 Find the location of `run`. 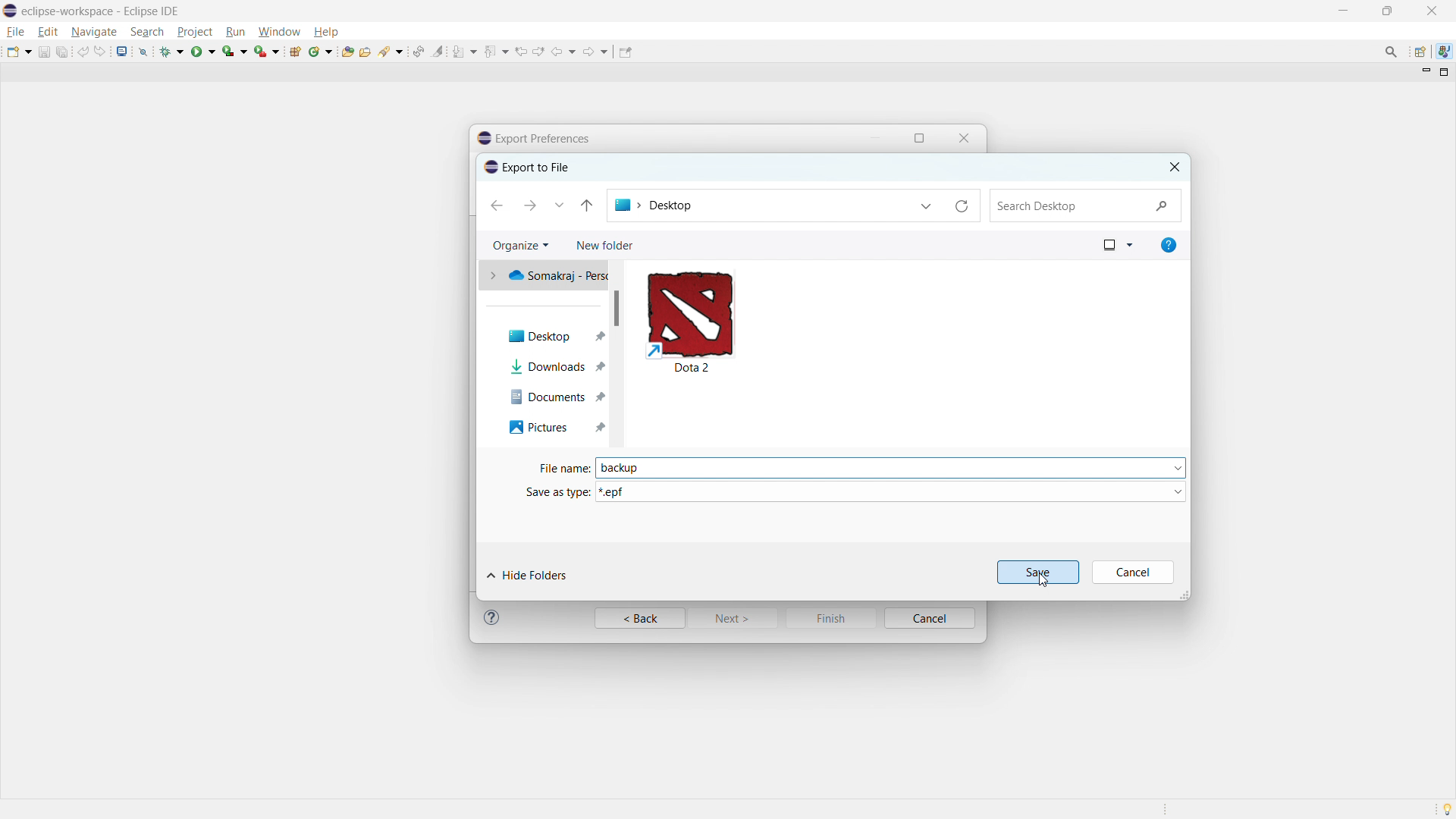

run is located at coordinates (235, 32).